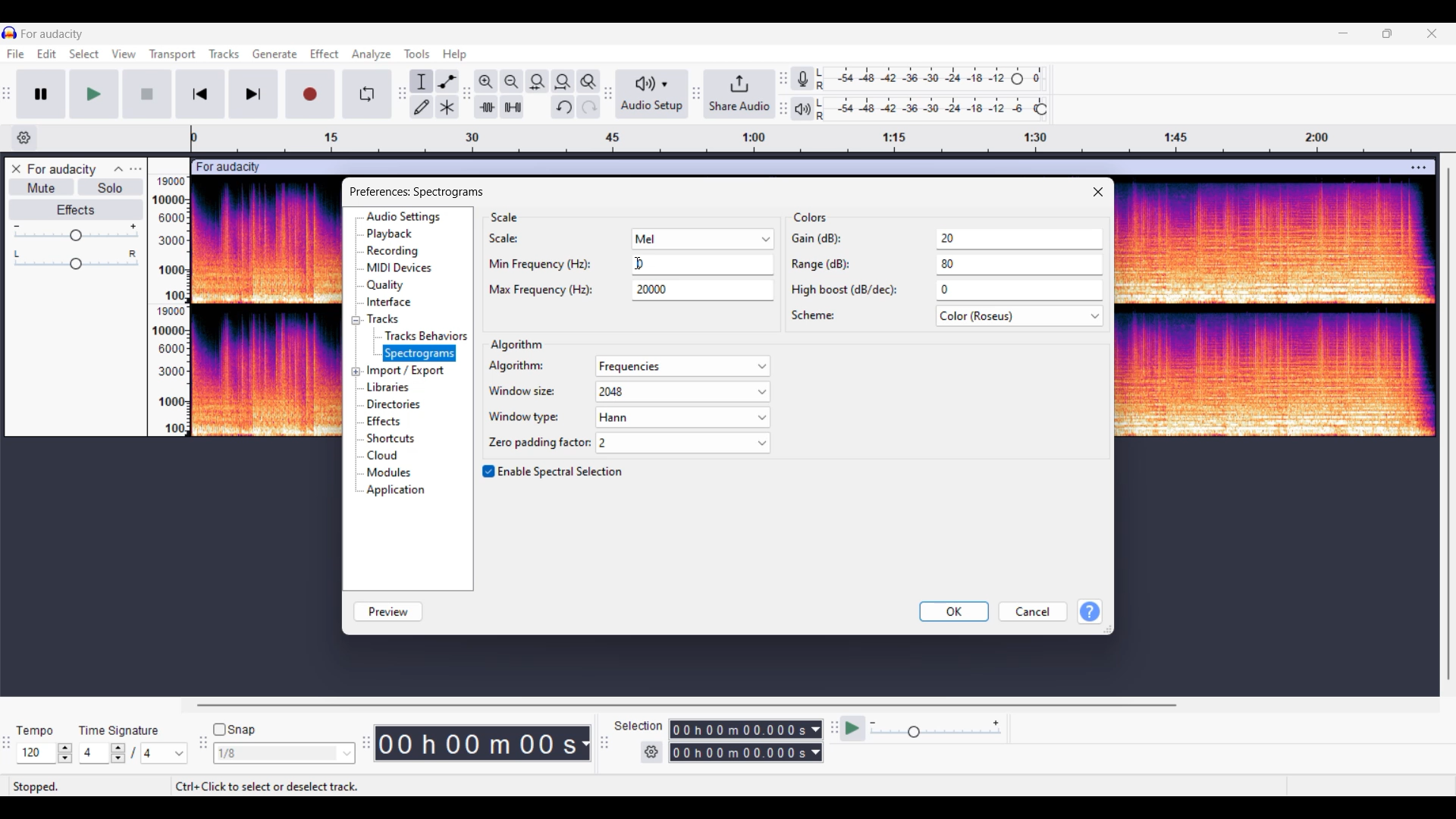 Image resolution: width=1456 pixels, height=819 pixels. What do you see at coordinates (75, 210) in the screenshot?
I see `Effects` at bounding box center [75, 210].